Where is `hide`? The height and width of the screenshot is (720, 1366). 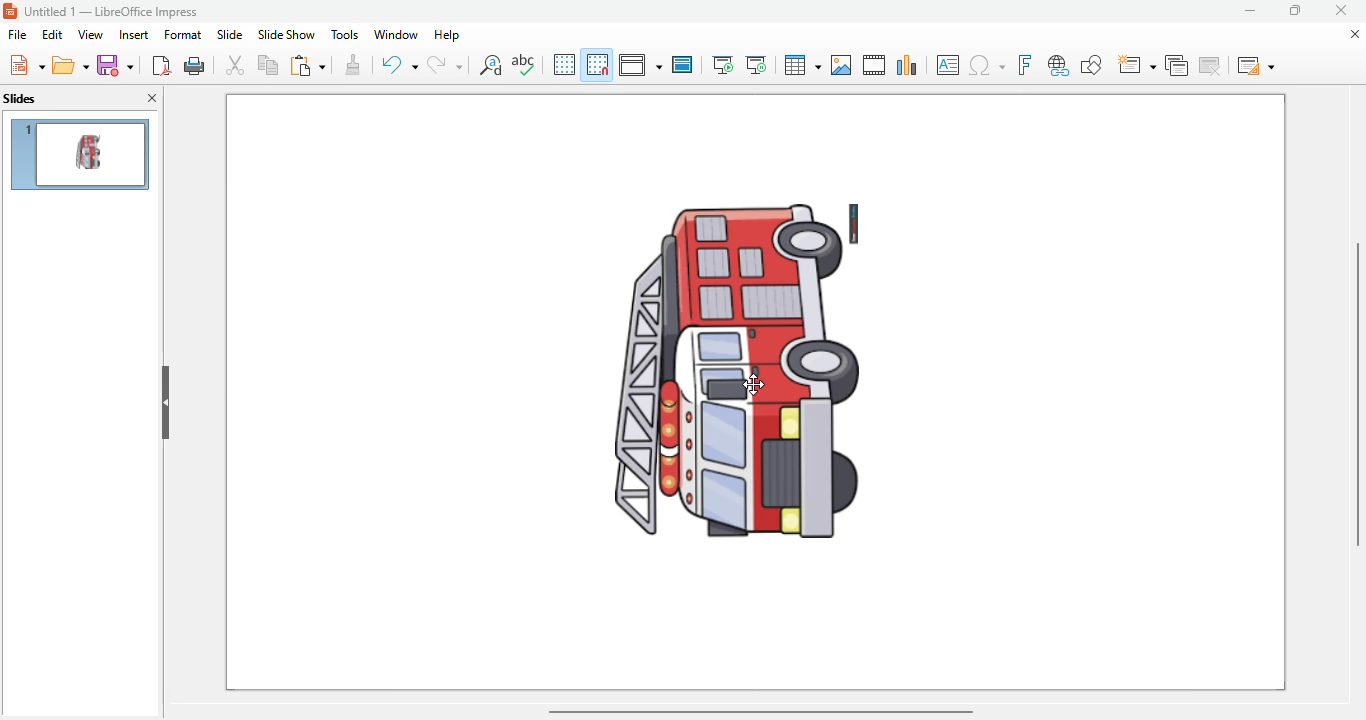
hide is located at coordinates (164, 403).